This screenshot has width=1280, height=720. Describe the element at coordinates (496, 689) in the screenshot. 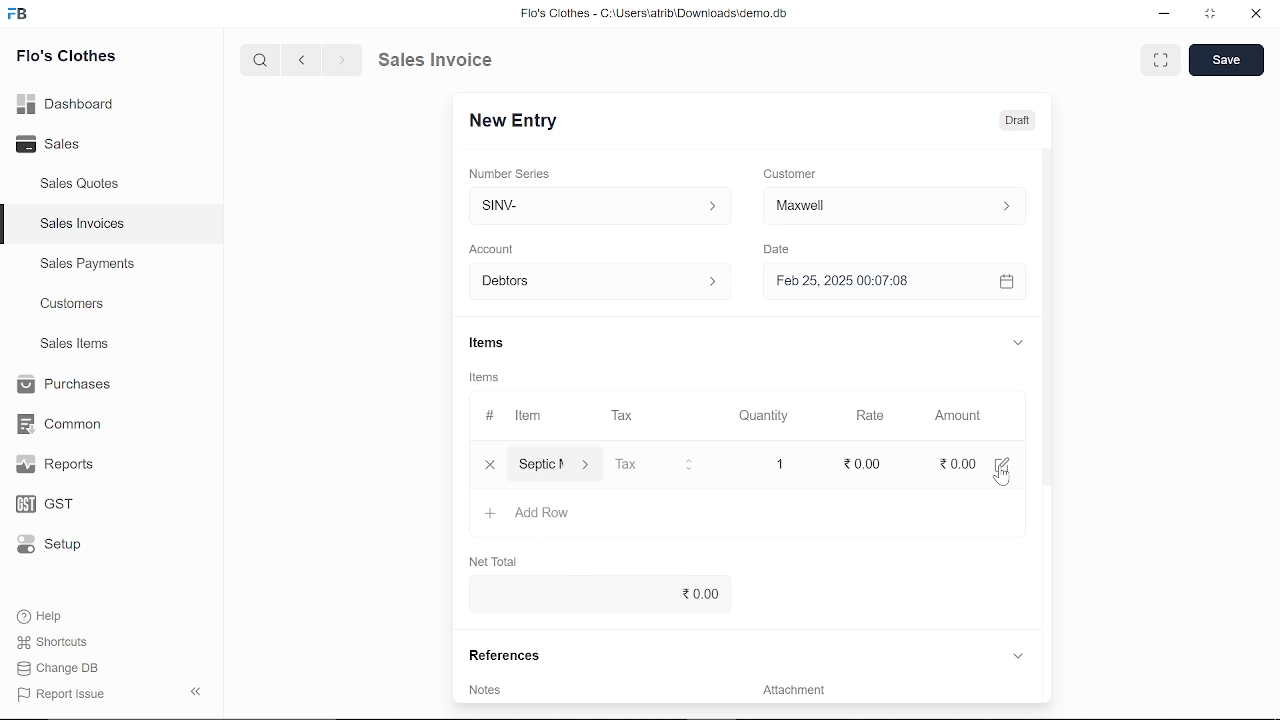

I see `Add invoice terms` at that location.